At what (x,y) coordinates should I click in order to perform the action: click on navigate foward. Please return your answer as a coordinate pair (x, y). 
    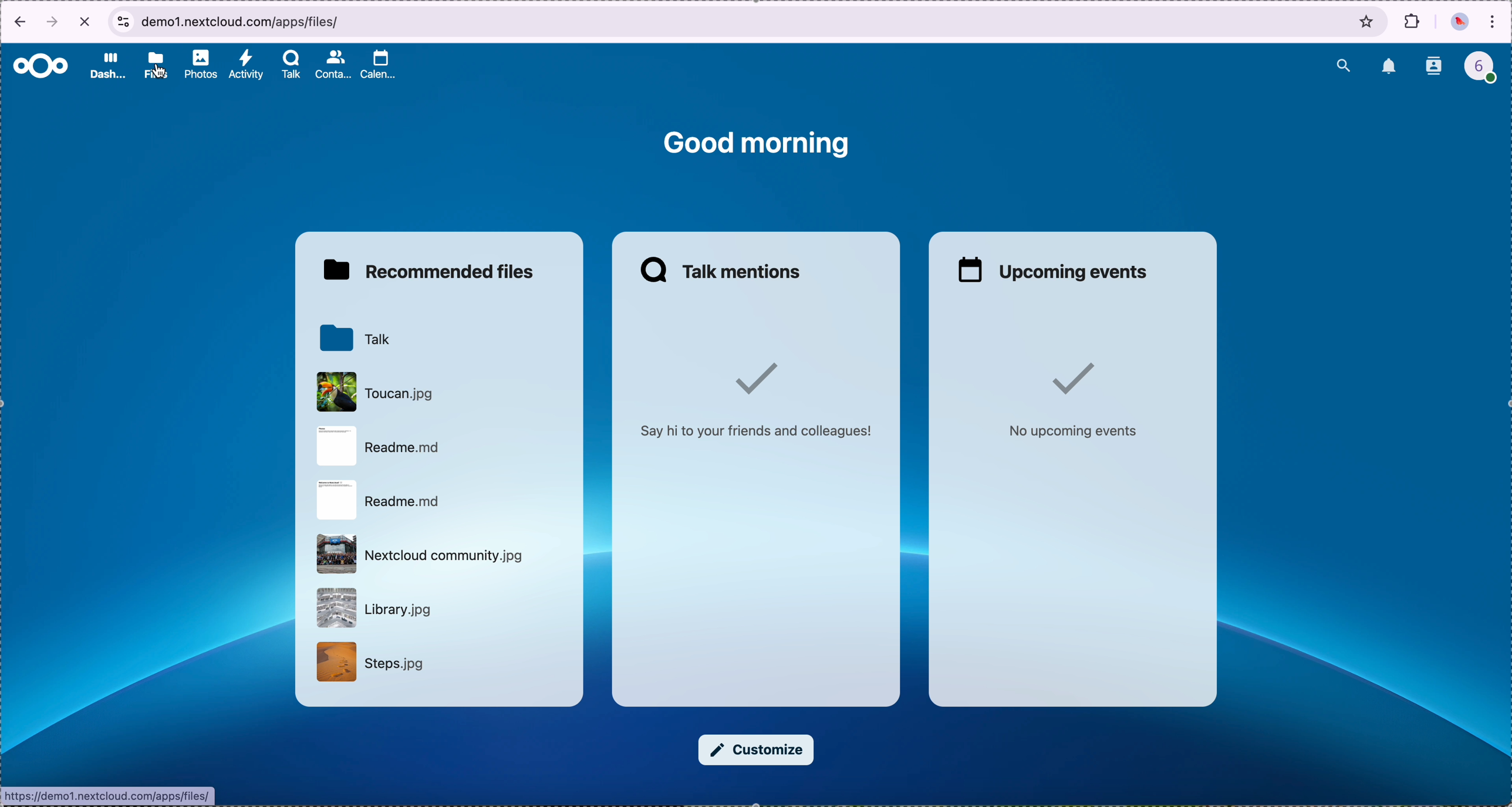
    Looking at the image, I should click on (53, 23).